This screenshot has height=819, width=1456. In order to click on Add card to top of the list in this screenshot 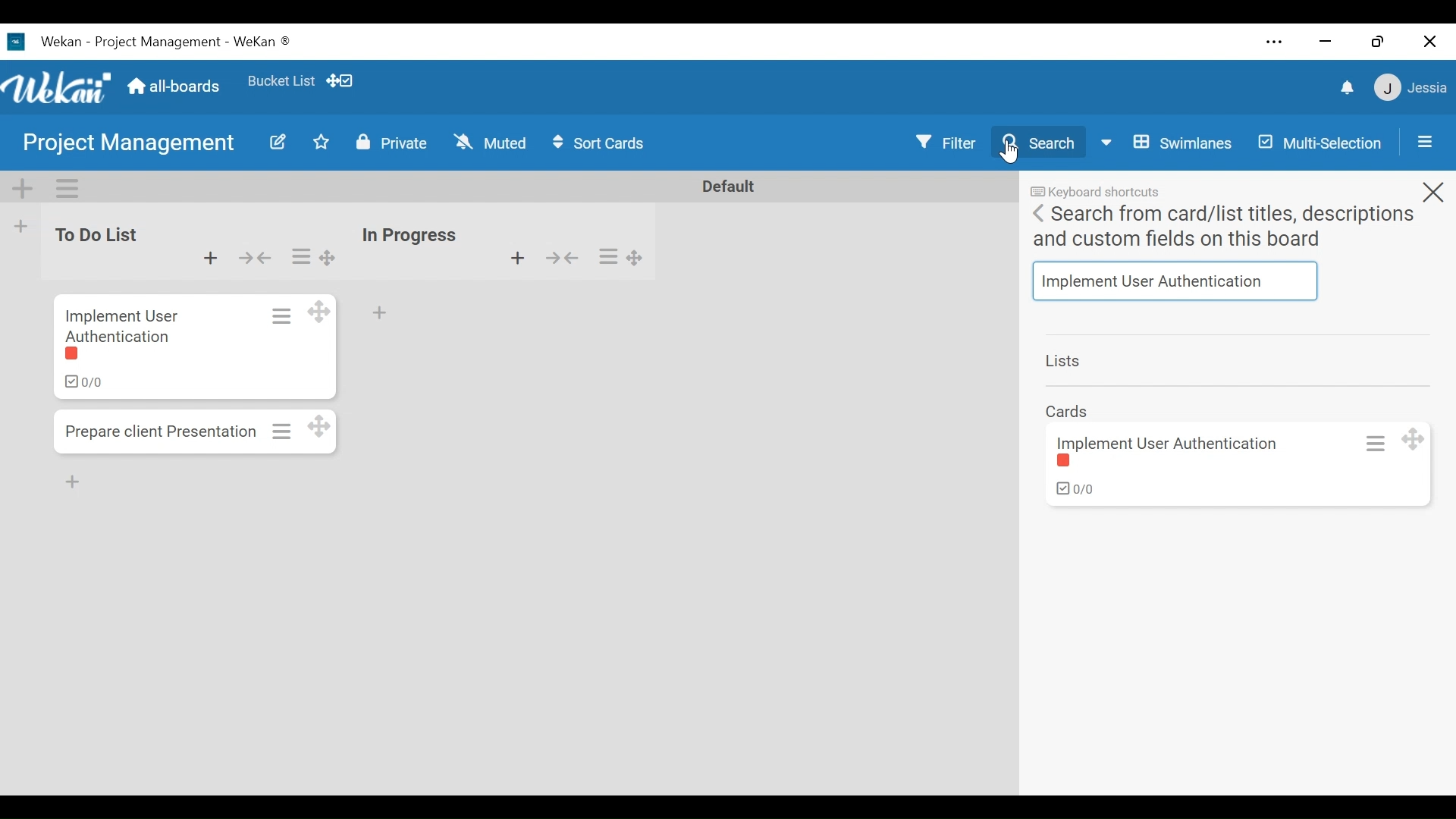, I will do `click(519, 261)`.